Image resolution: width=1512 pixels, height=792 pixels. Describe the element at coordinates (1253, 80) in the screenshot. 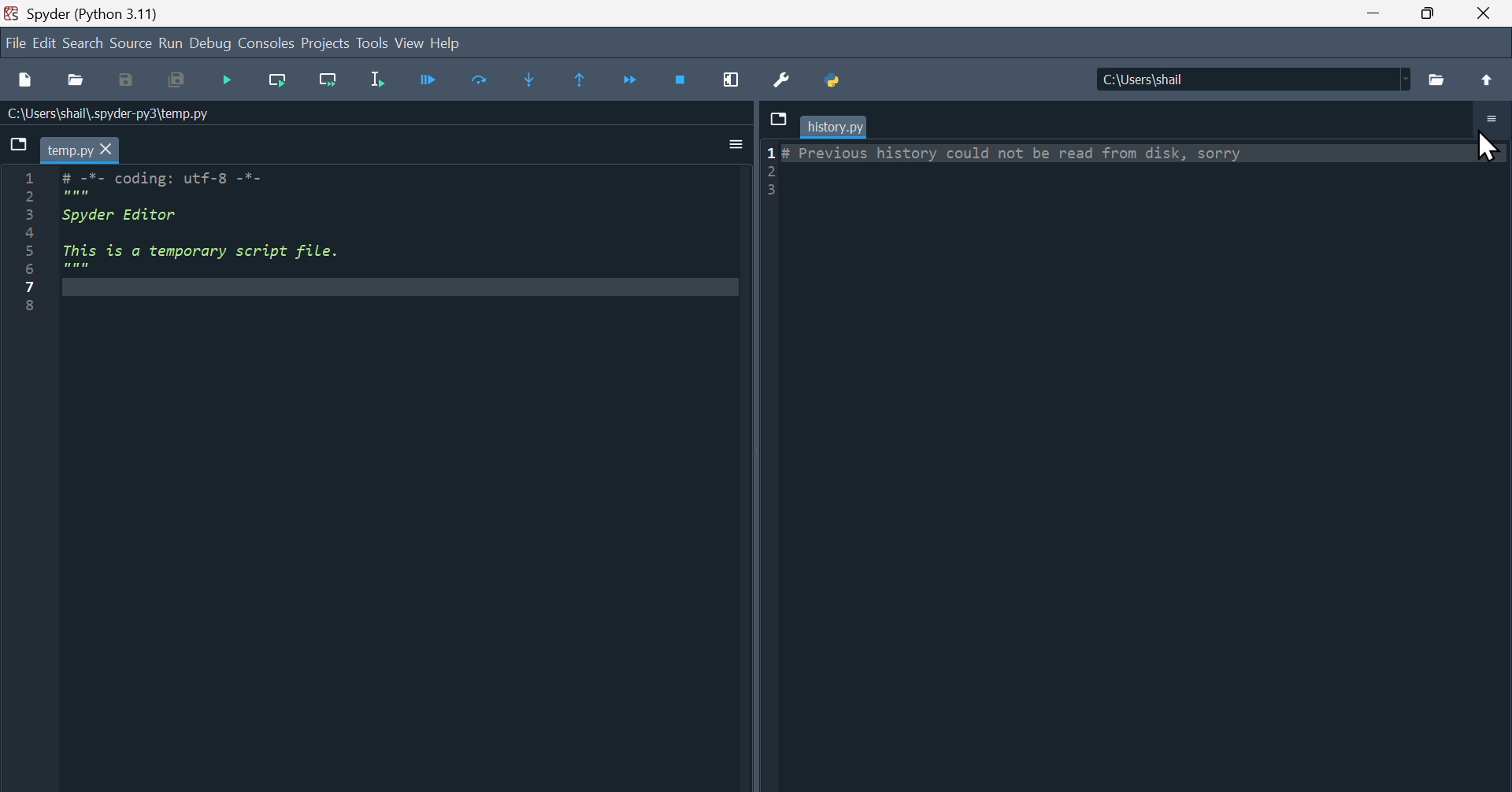

I see `|C:\Users\shail` at that location.